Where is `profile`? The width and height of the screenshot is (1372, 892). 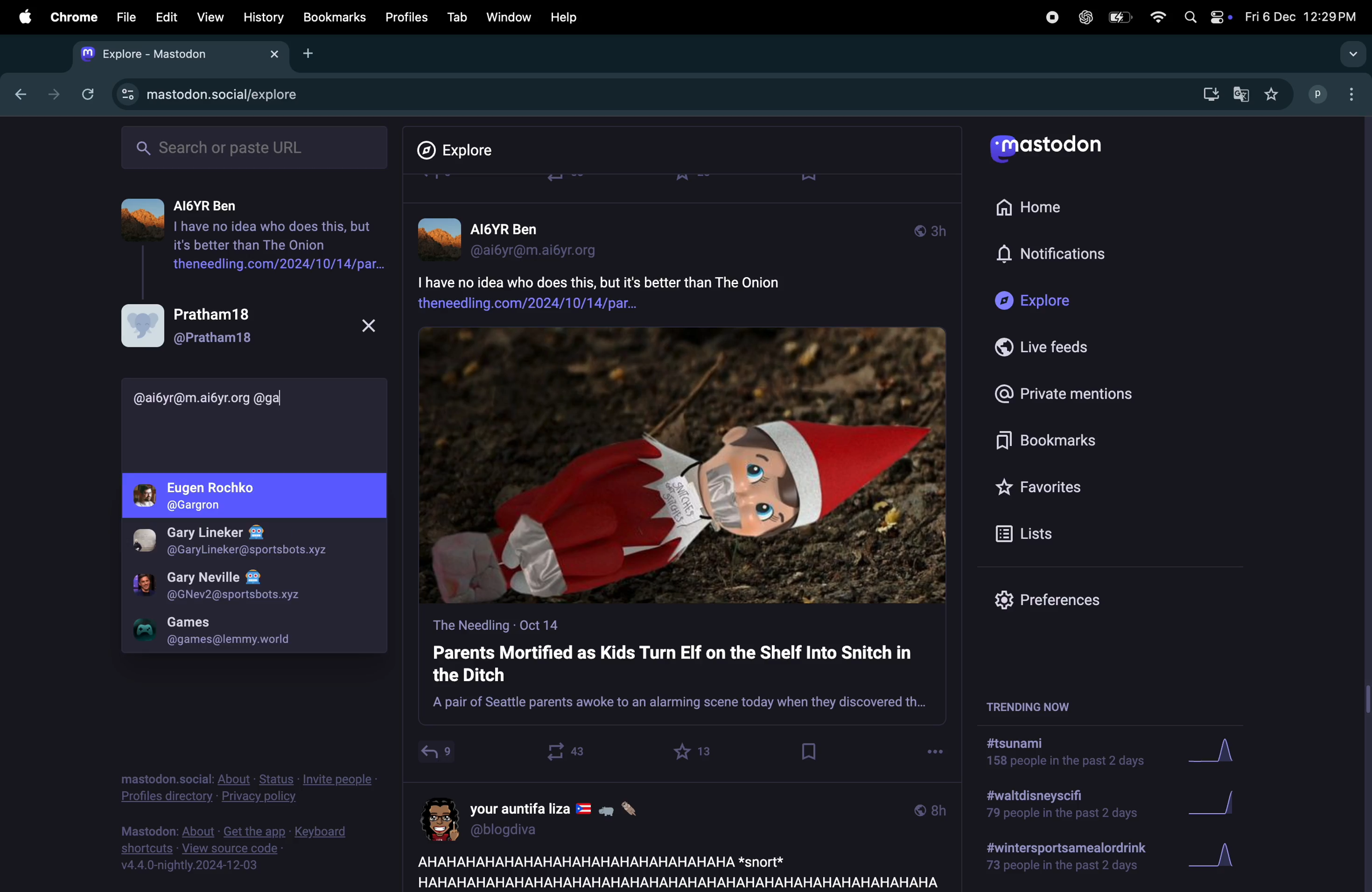
profile is located at coordinates (258, 496).